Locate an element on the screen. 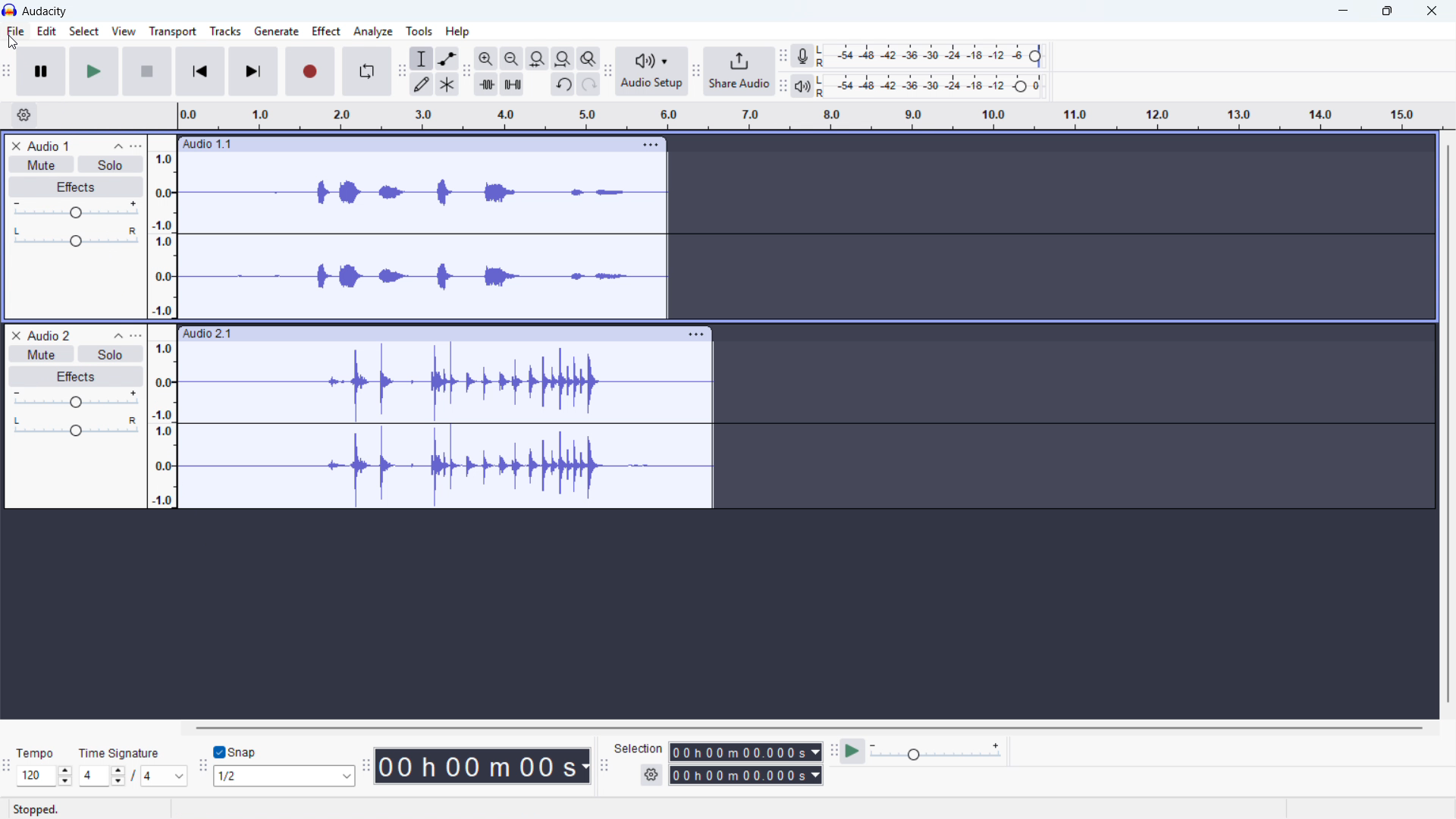 The width and height of the screenshot is (1456, 819). Audio setup toolbar is located at coordinates (608, 71).